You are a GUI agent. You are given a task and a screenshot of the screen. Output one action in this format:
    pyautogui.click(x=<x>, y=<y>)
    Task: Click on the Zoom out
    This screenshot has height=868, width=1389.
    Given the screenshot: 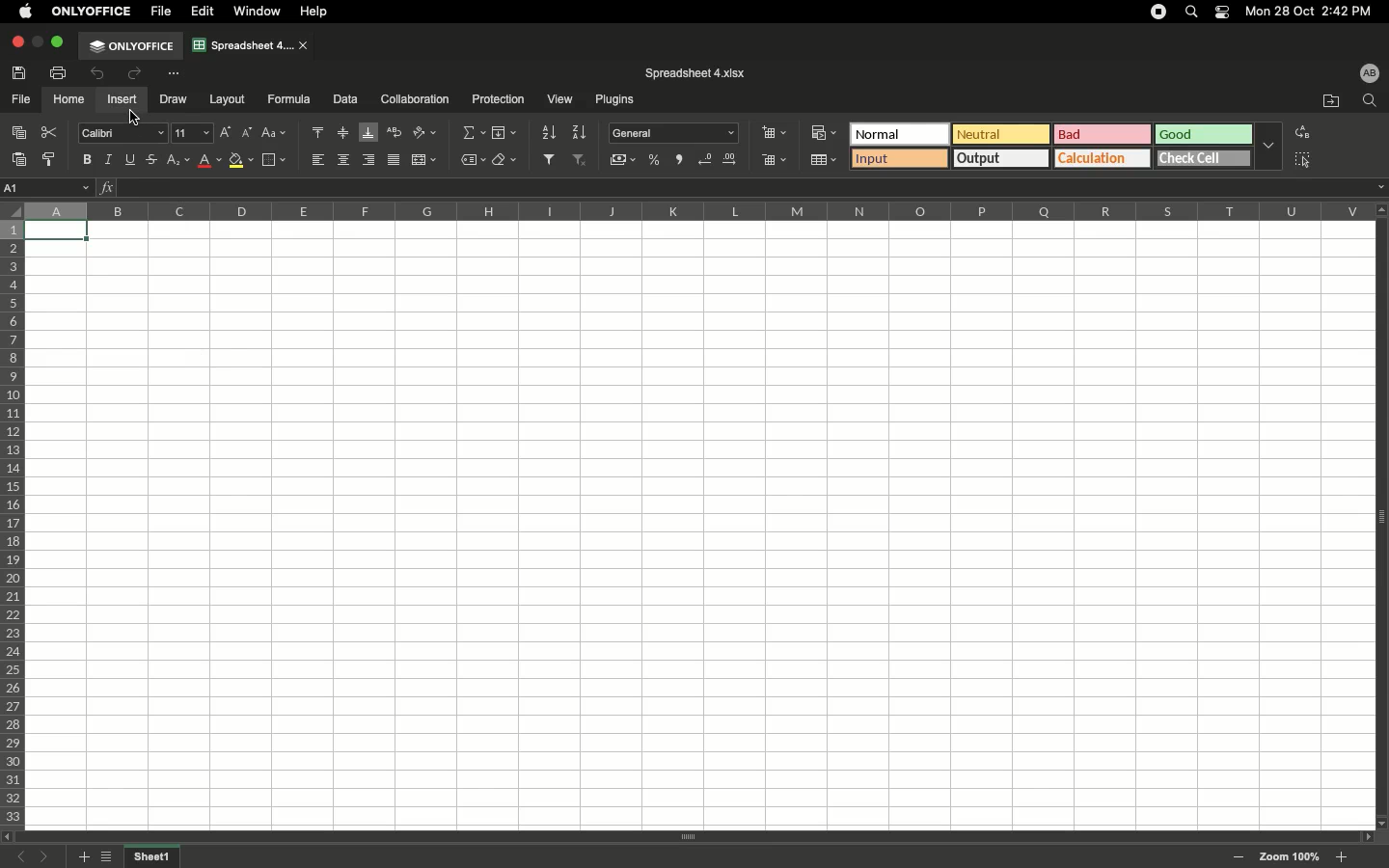 What is the action you would take?
    pyautogui.click(x=1239, y=858)
    